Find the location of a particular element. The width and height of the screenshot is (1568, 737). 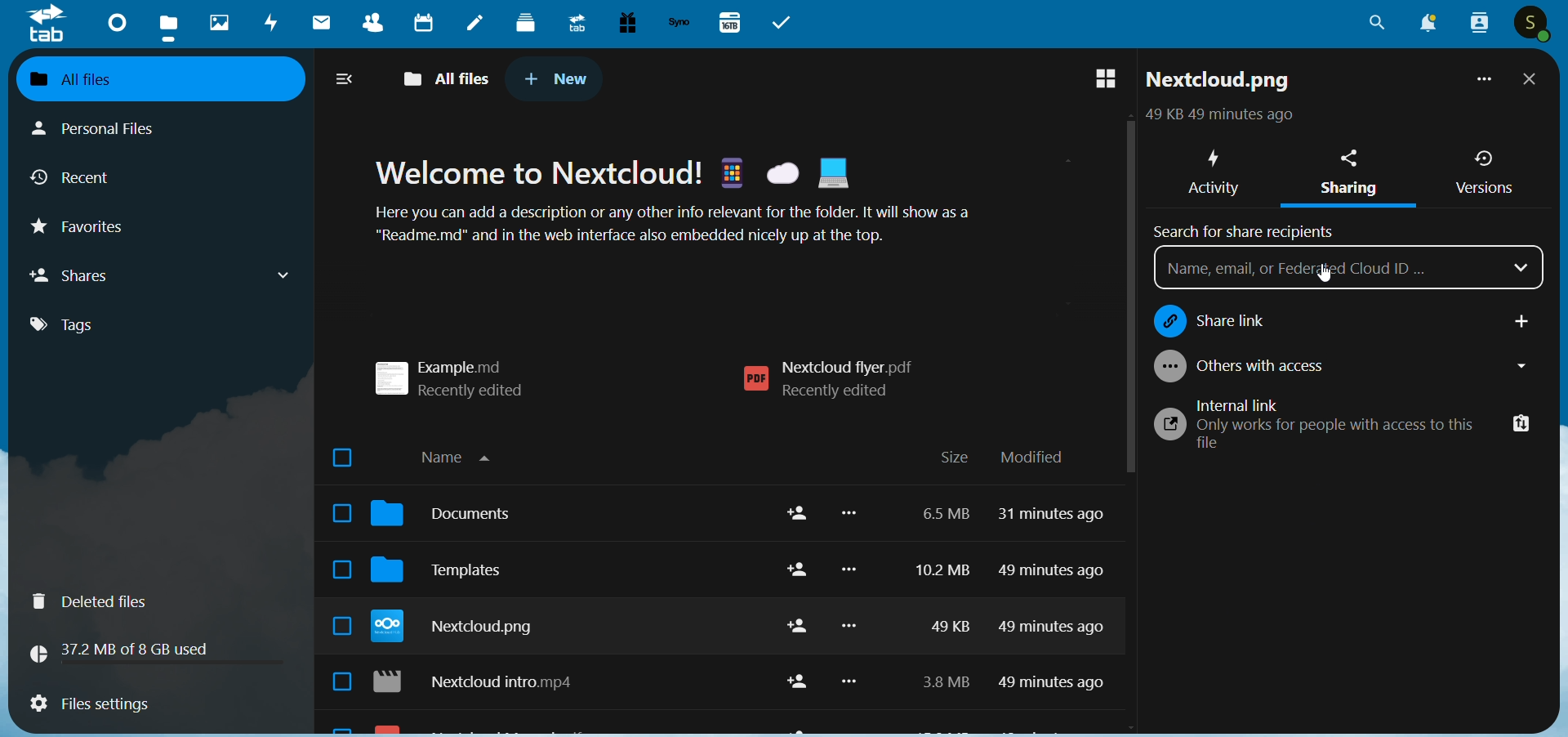

activity is located at coordinates (273, 25).